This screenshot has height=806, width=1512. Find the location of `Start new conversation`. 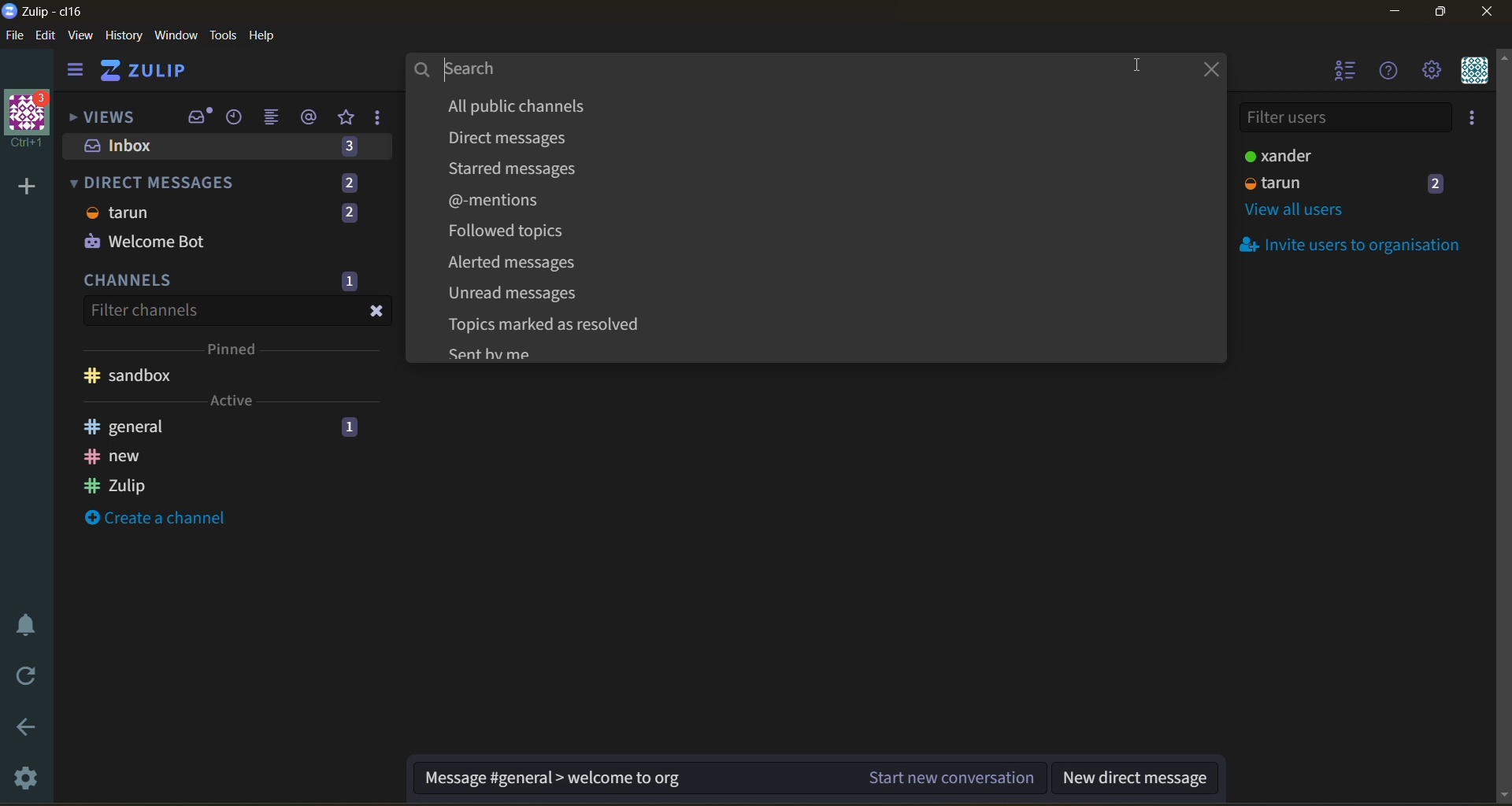

Start new conversation is located at coordinates (953, 776).